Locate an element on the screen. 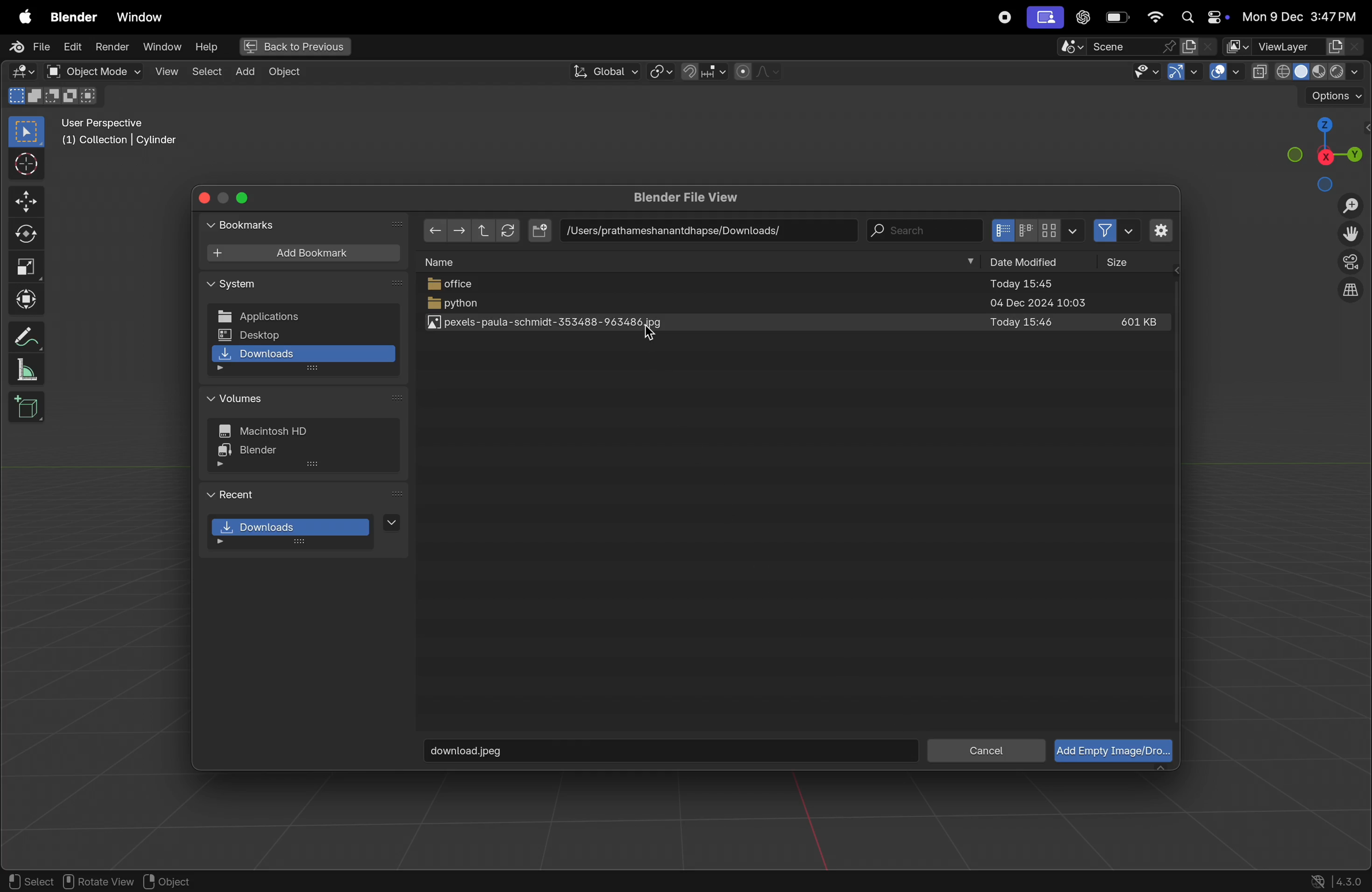 The width and height of the screenshot is (1372, 892). chatgpt is located at coordinates (1083, 18).